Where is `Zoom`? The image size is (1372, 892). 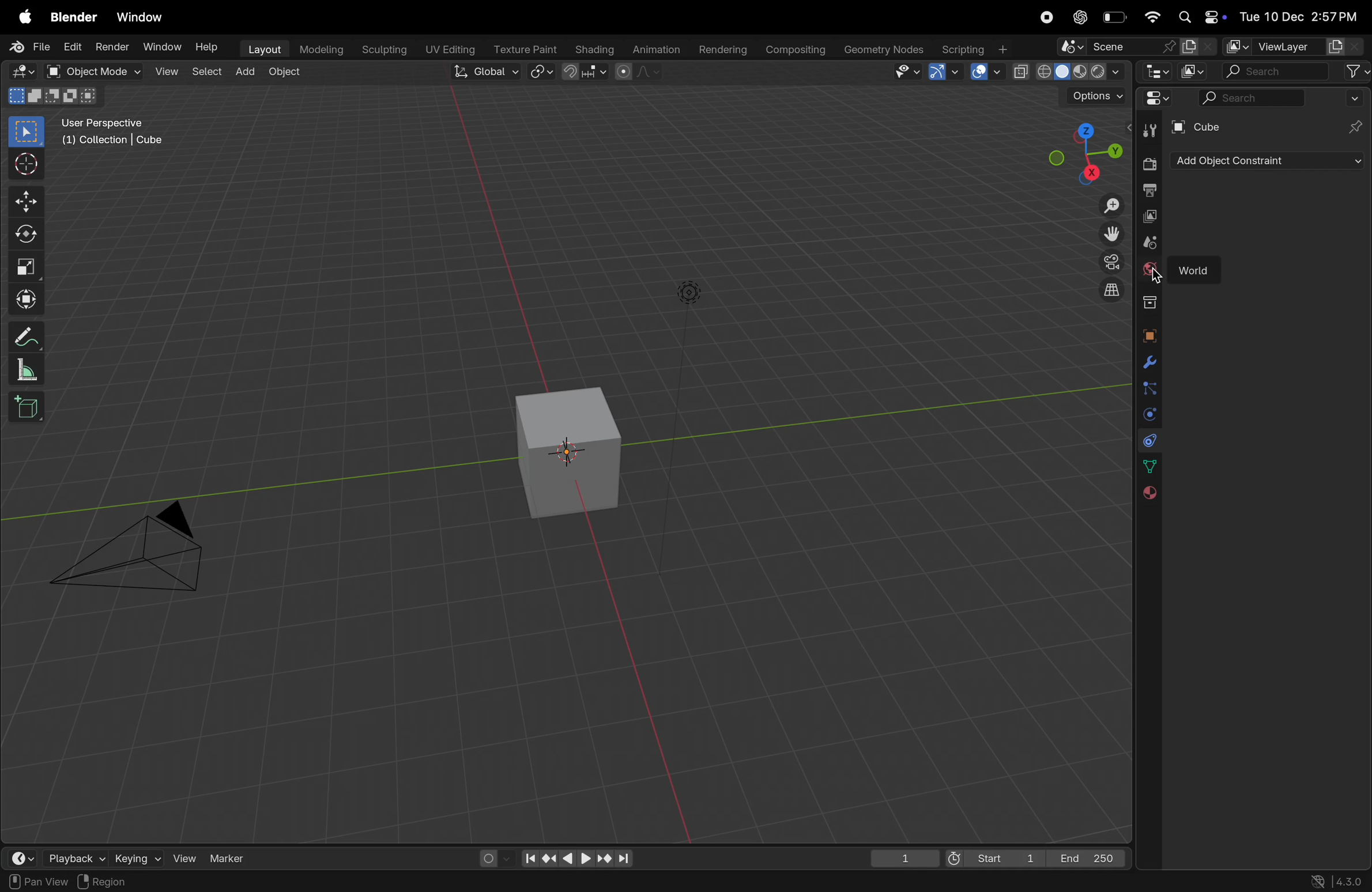
Zoom is located at coordinates (1109, 207).